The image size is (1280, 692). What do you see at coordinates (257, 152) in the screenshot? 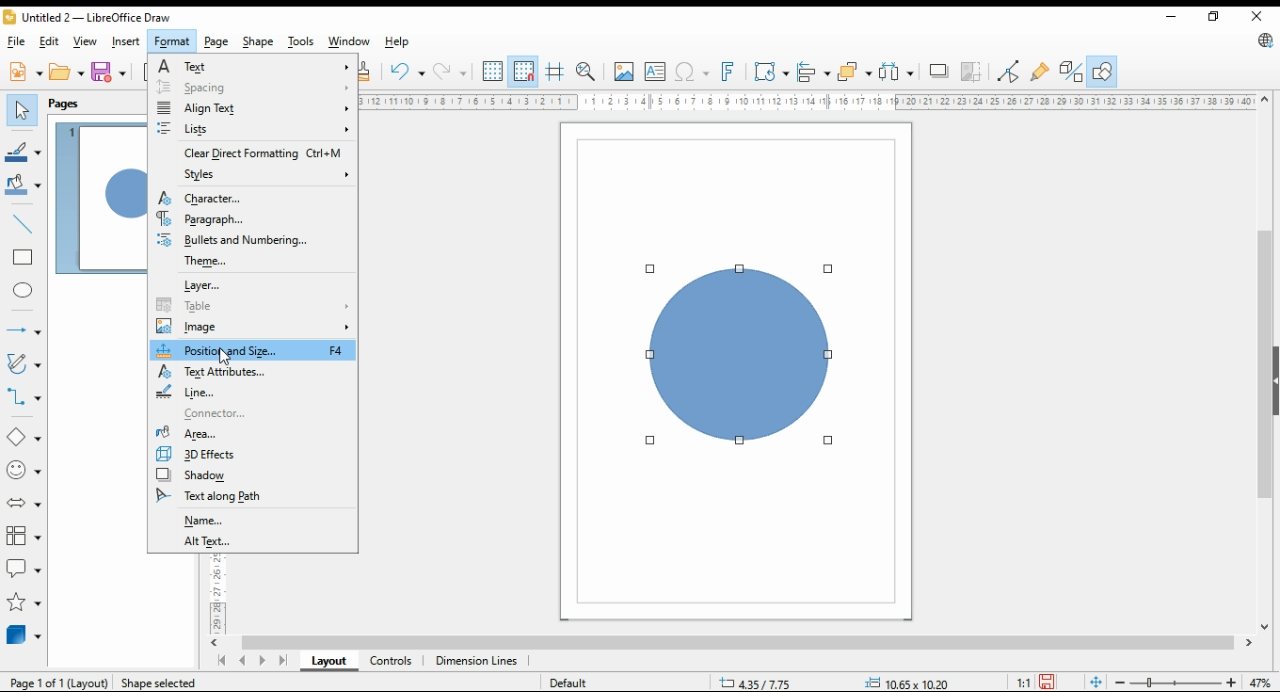
I see `clear direct formatting` at bounding box center [257, 152].